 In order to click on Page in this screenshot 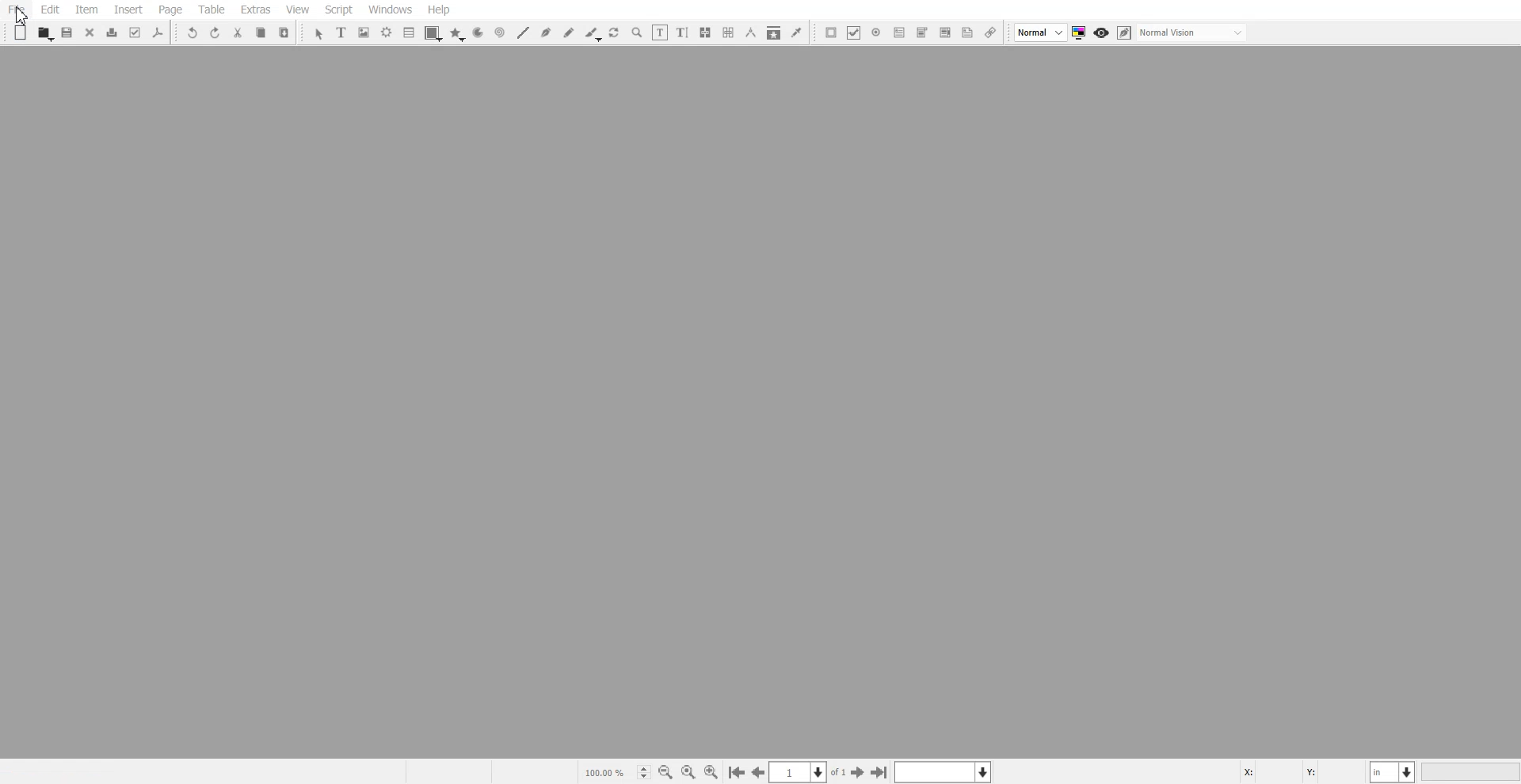, I will do `click(170, 10)`.